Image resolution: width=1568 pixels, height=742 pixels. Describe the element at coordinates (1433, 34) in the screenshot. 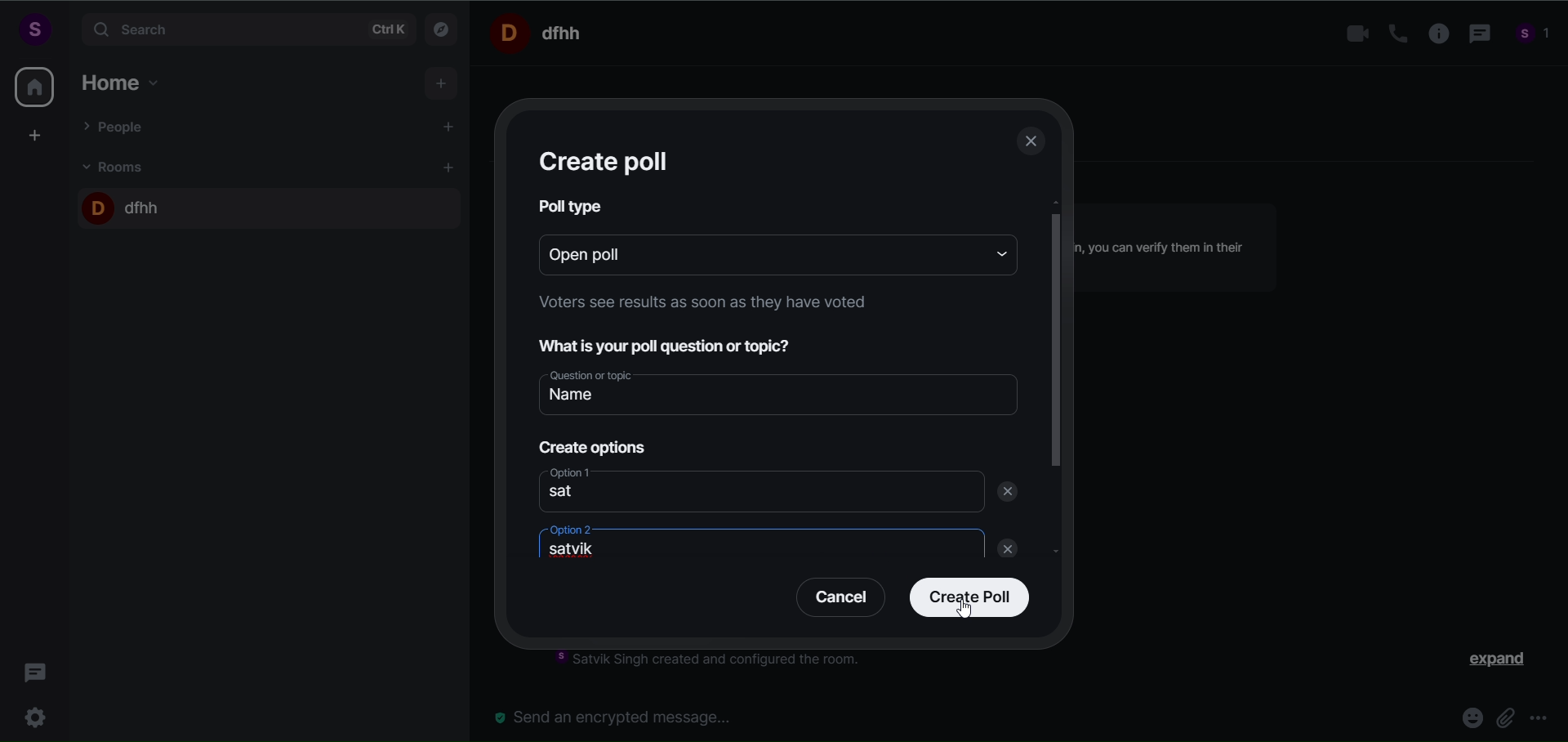

I see `room info` at that location.